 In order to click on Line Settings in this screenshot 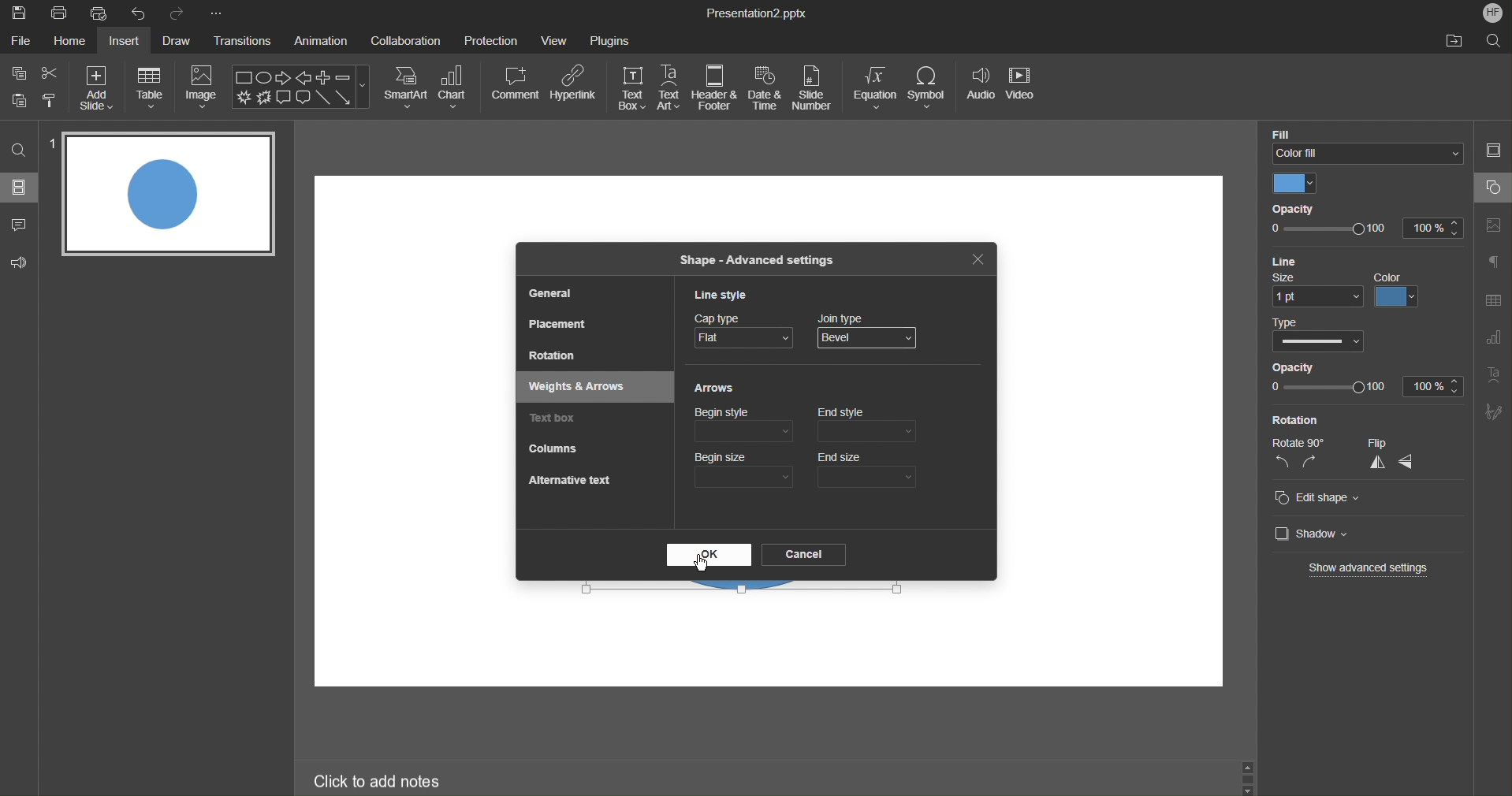, I will do `click(1290, 260)`.